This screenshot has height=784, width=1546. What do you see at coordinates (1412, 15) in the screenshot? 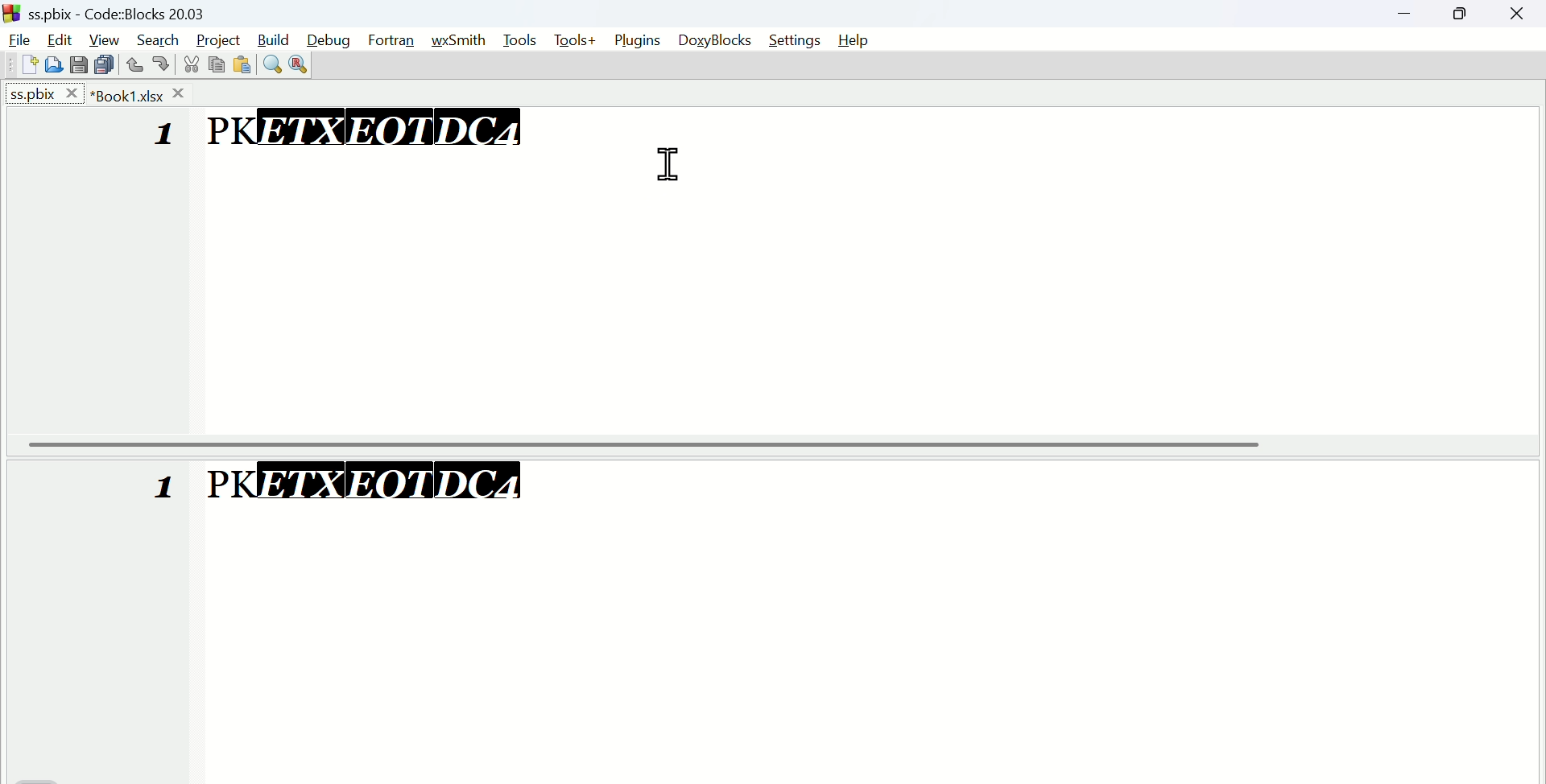
I see `minimise` at bounding box center [1412, 15].